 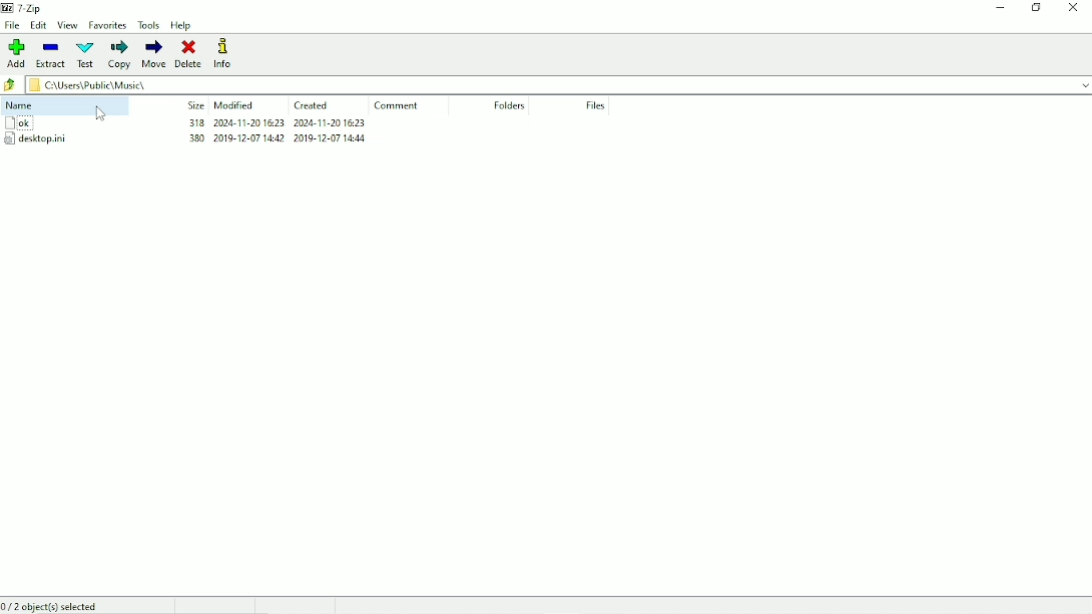 What do you see at coordinates (181, 26) in the screenshot?
I see `Help` at bounding box center [181, 26].